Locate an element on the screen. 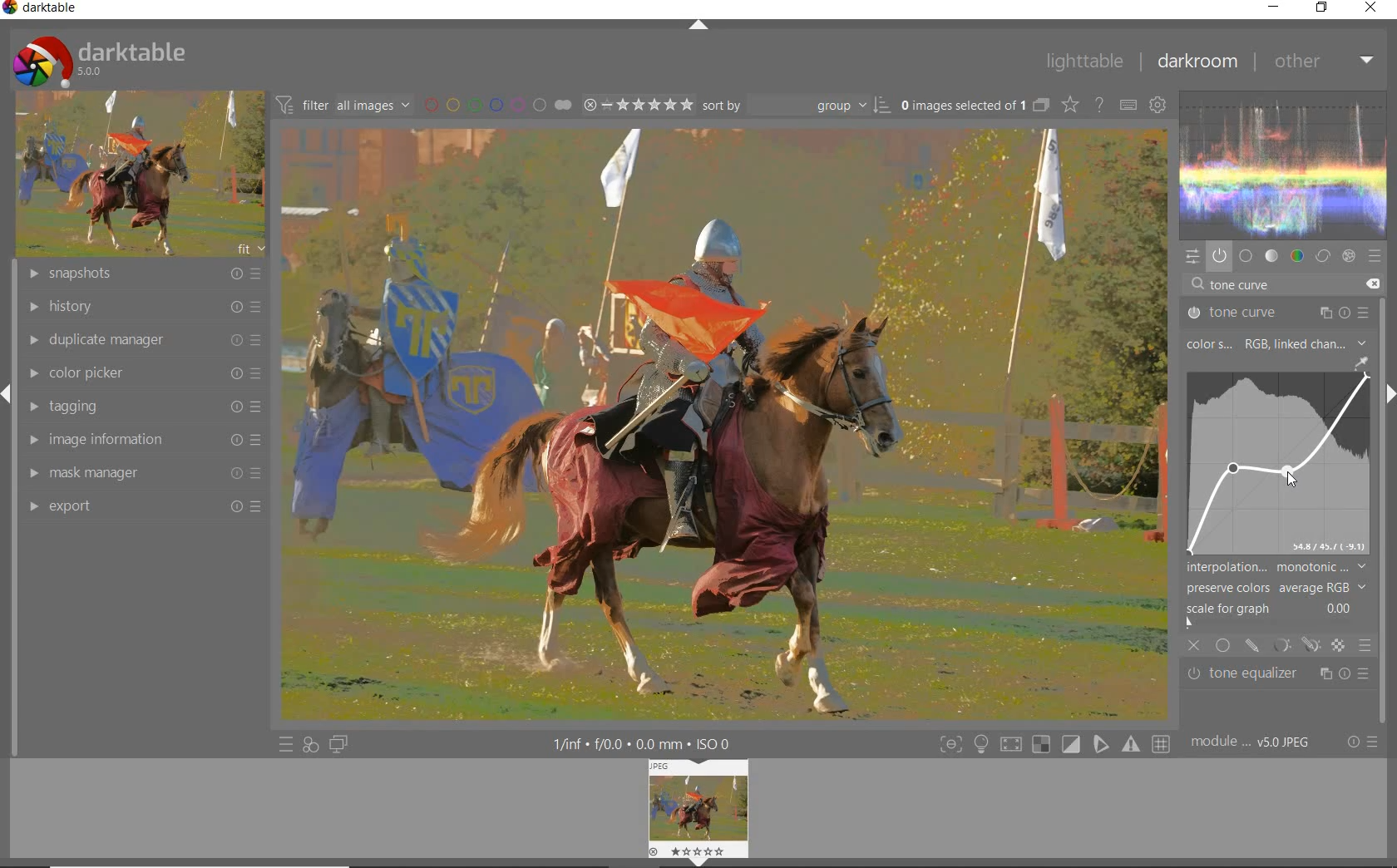  color is located at coordinates (1298, 256).